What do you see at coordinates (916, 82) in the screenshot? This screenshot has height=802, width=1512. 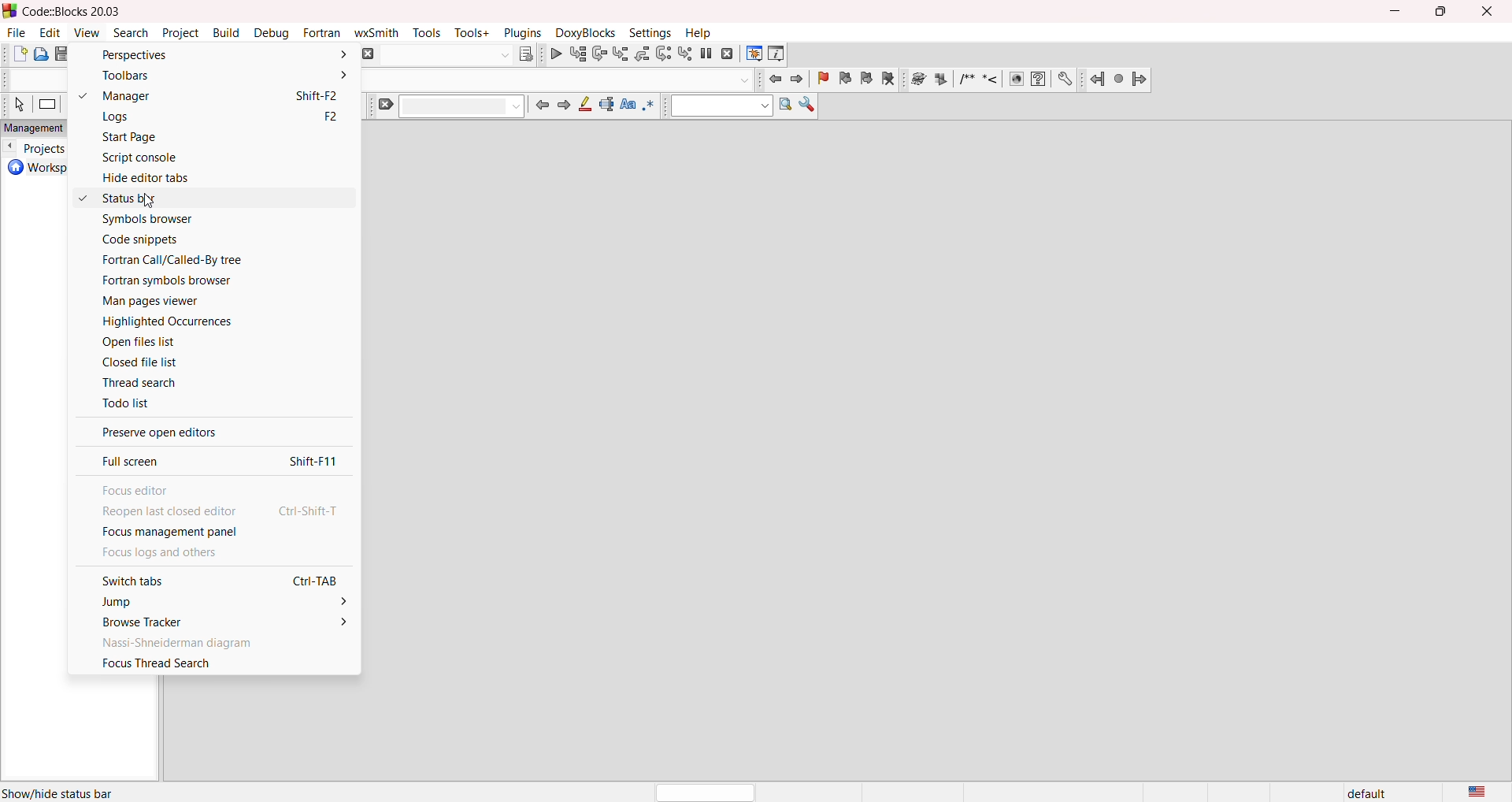 I see `run doxywizard` at bounding box center [916, 82].